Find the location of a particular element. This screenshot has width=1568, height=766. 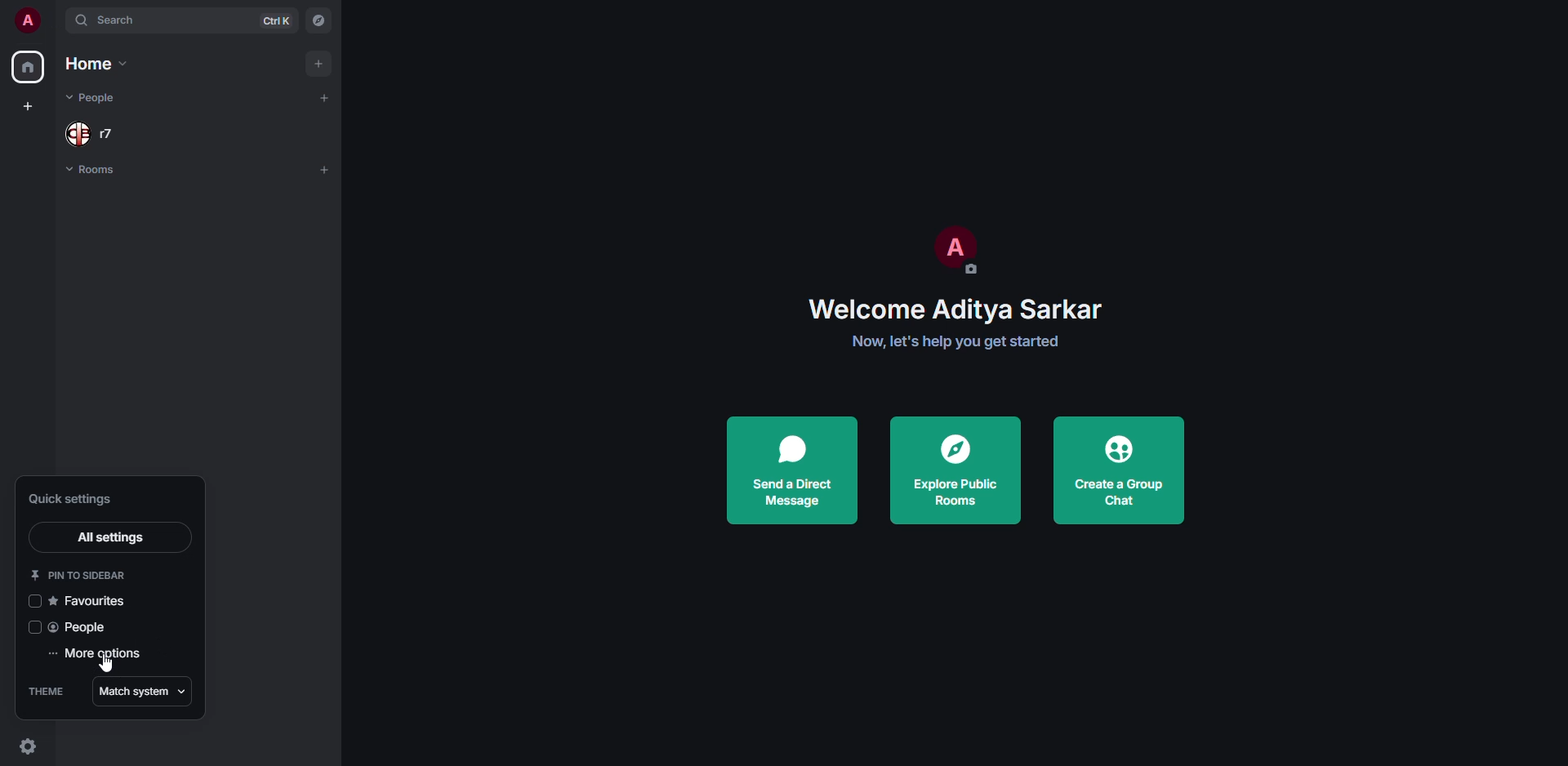

more options is located at coordinates (93, 652).